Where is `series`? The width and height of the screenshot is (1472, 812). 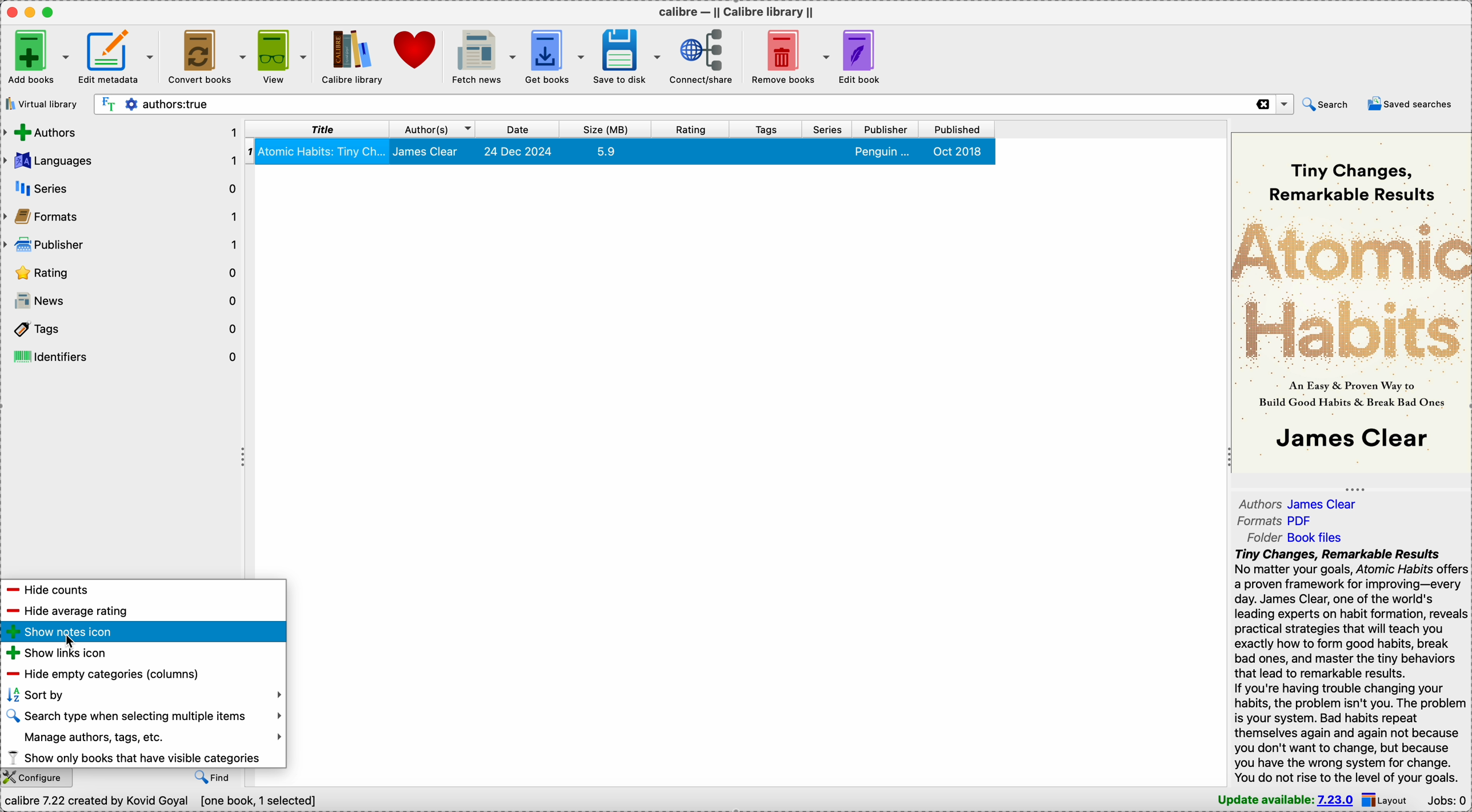 series is located at coordinates (825, 129).